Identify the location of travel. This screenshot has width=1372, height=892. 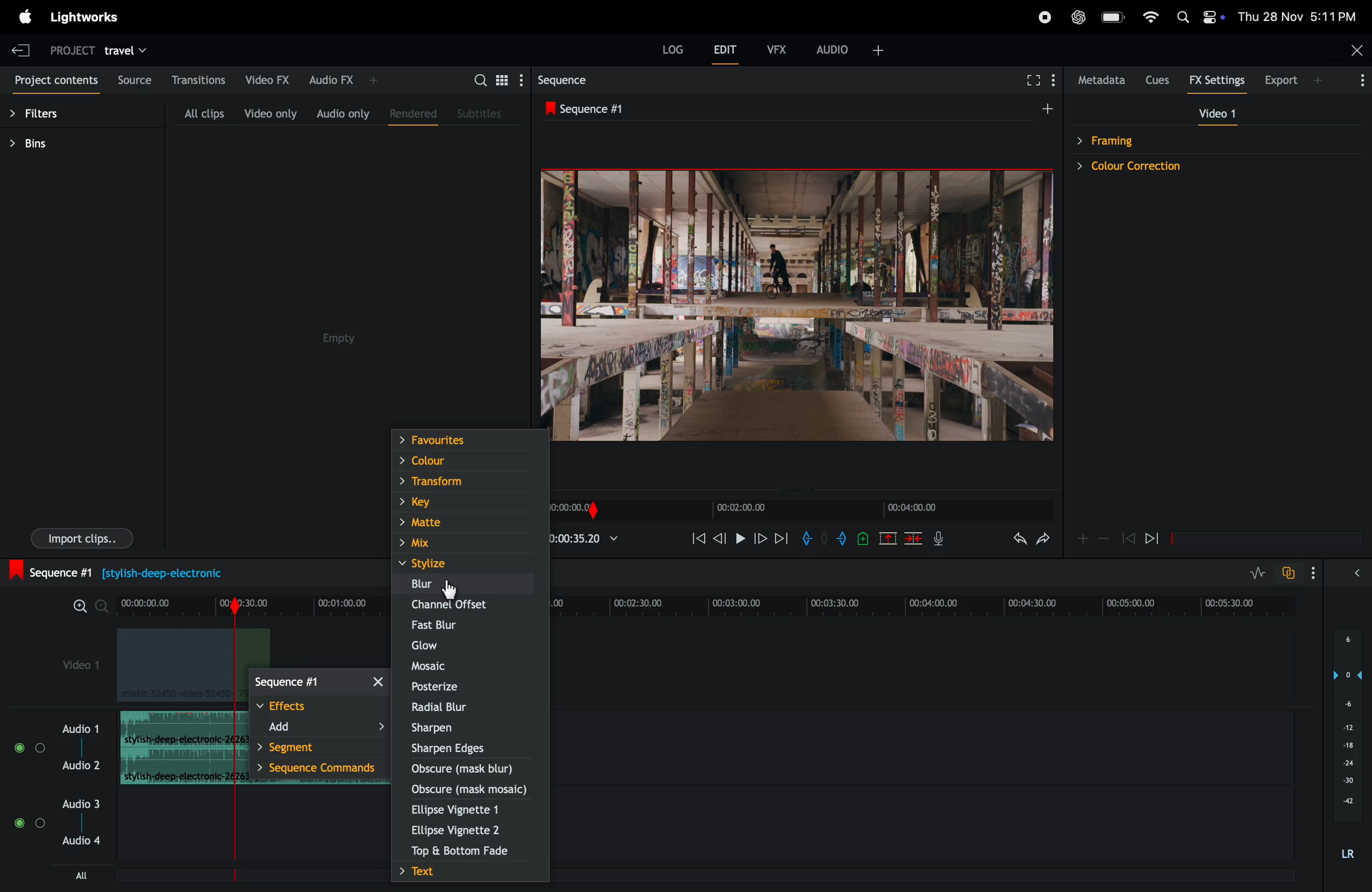
(137, 50).